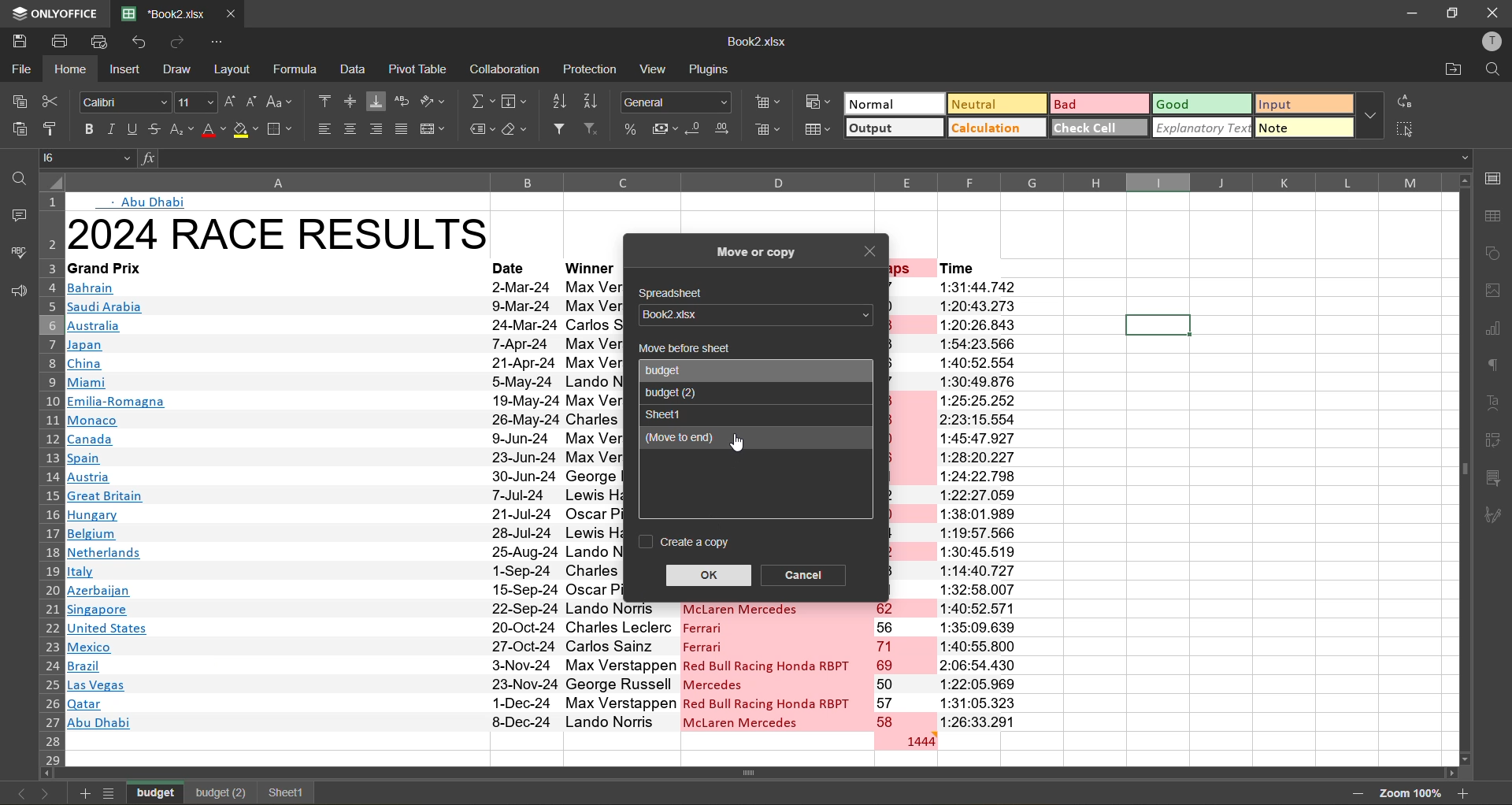 This screenshot has width=1512, height=805. I want to click on sheet1, so click(283, 792).